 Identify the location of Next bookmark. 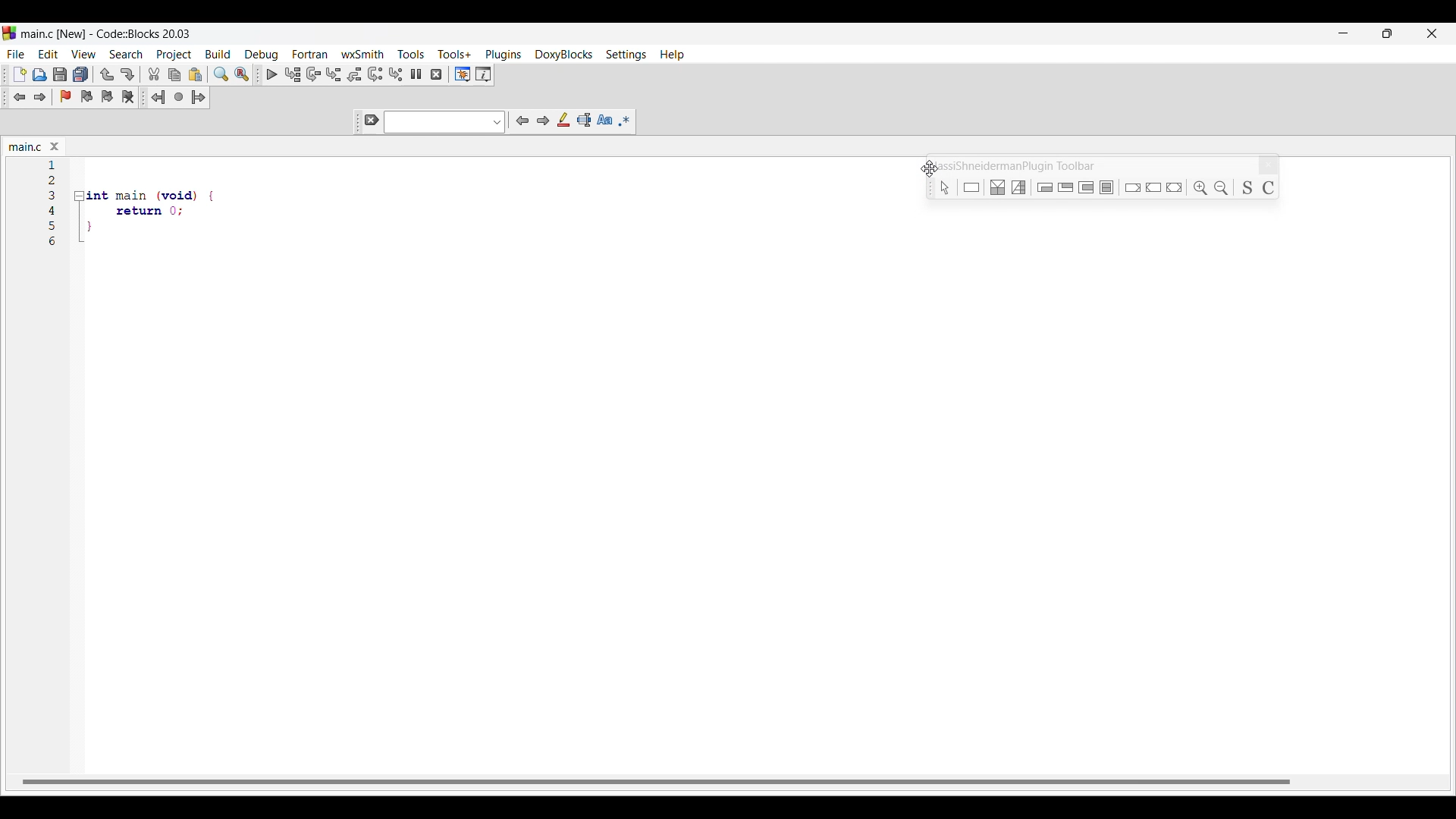
(107, 96).